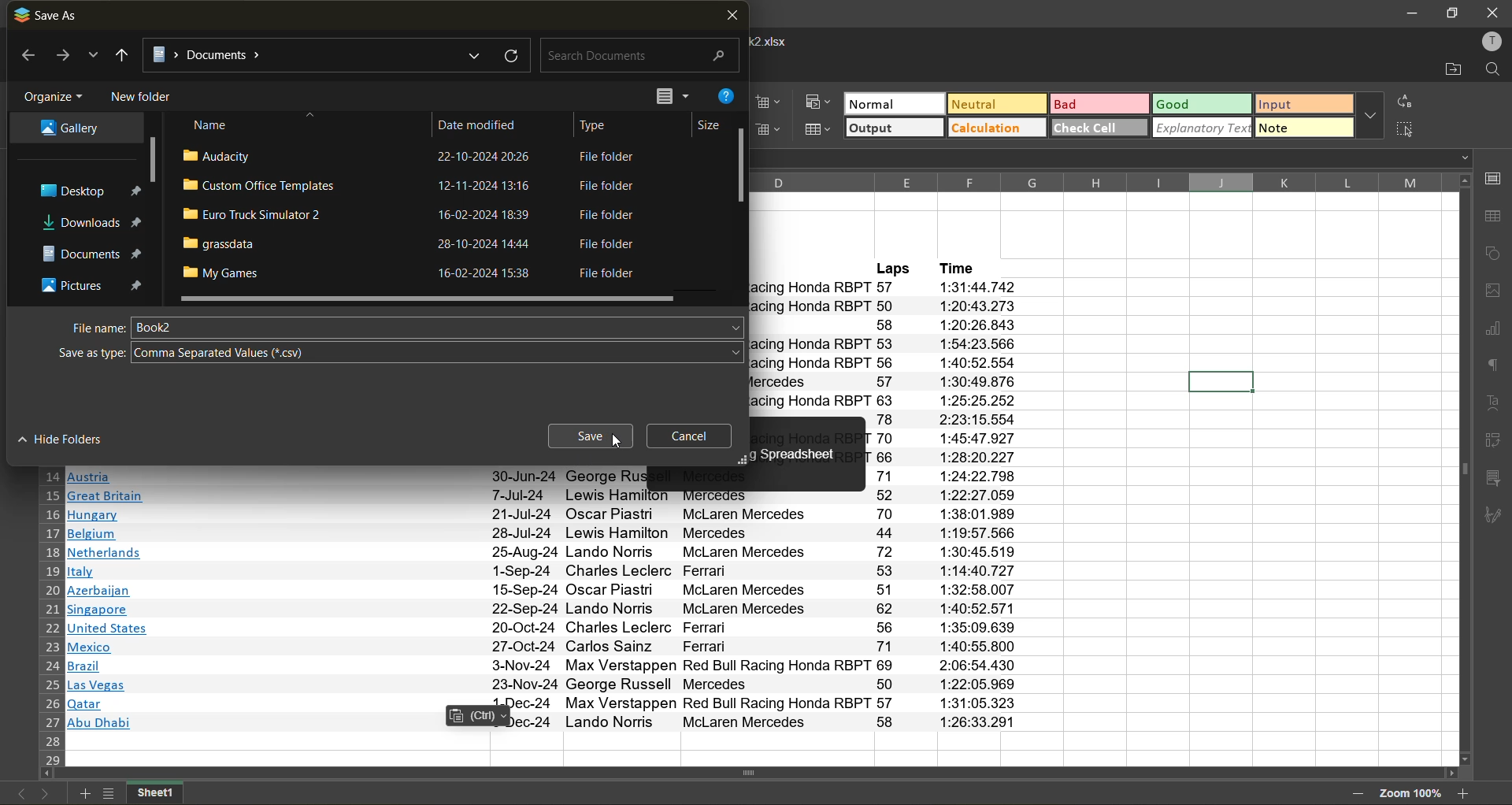  I want to click on new folder, so click(143, 95).